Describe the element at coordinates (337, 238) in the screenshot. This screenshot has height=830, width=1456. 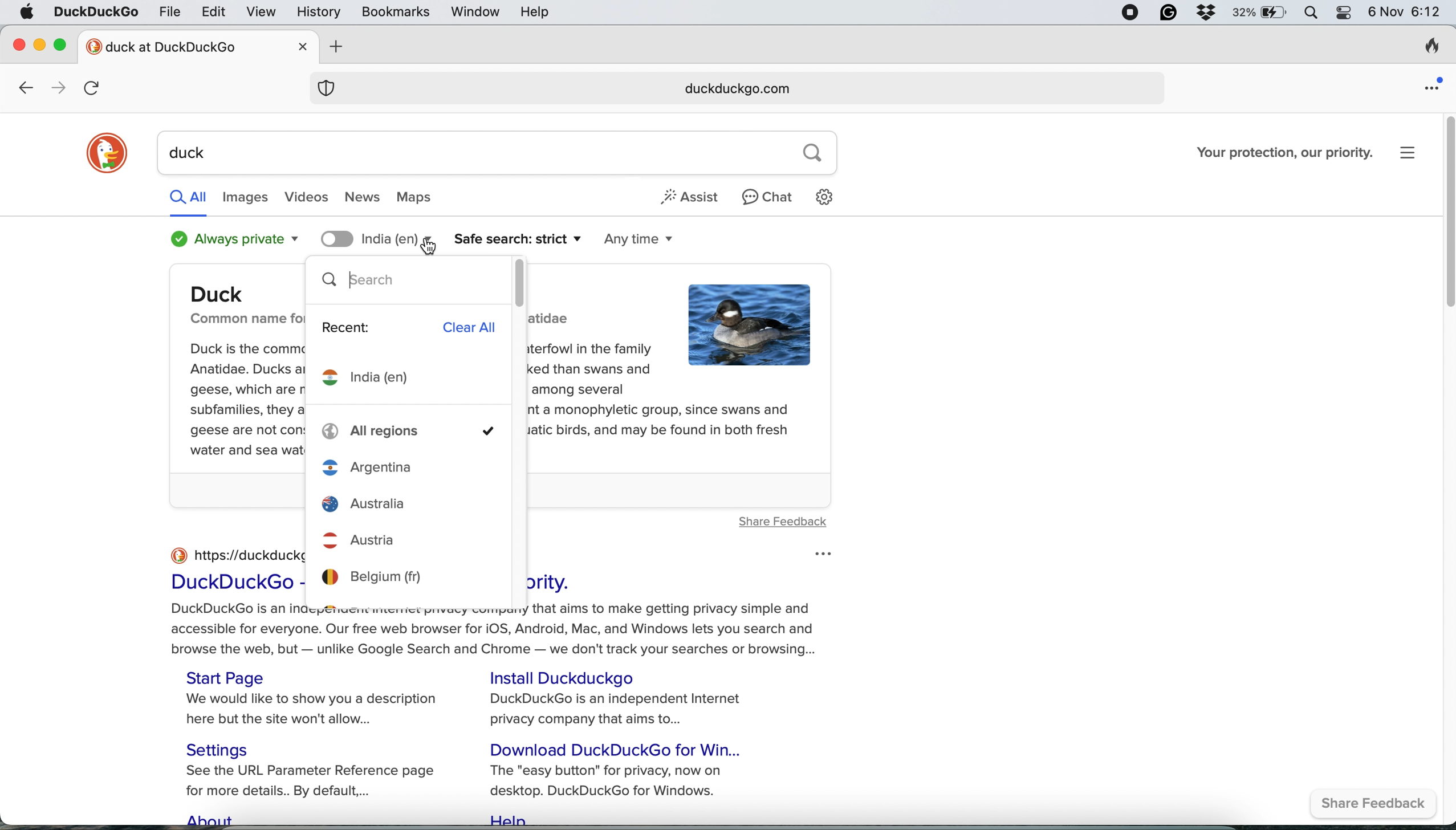
I see `toggle location` at that location.